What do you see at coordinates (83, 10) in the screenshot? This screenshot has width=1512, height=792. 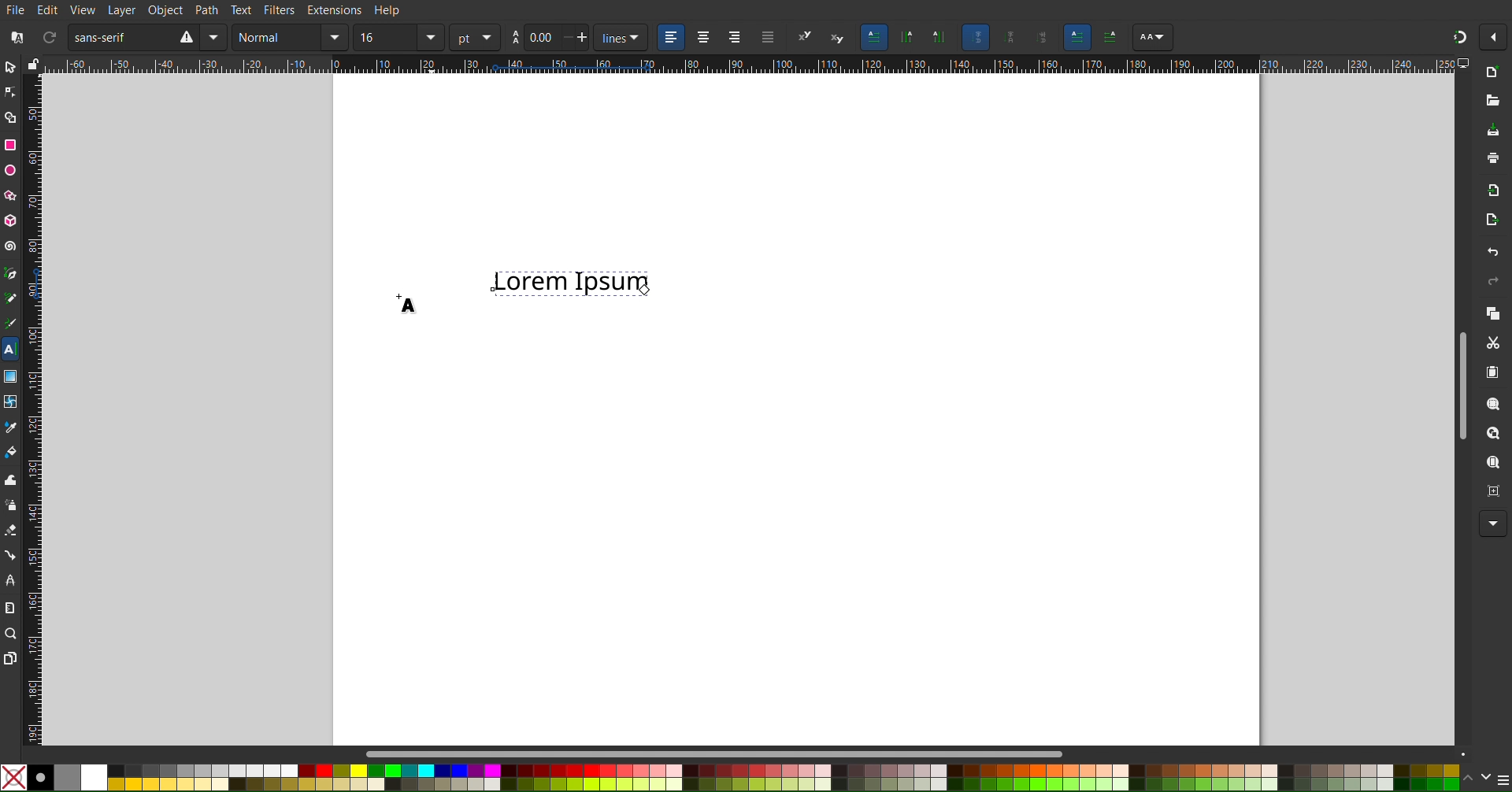 I see `View` at bounding box center [83, 10].